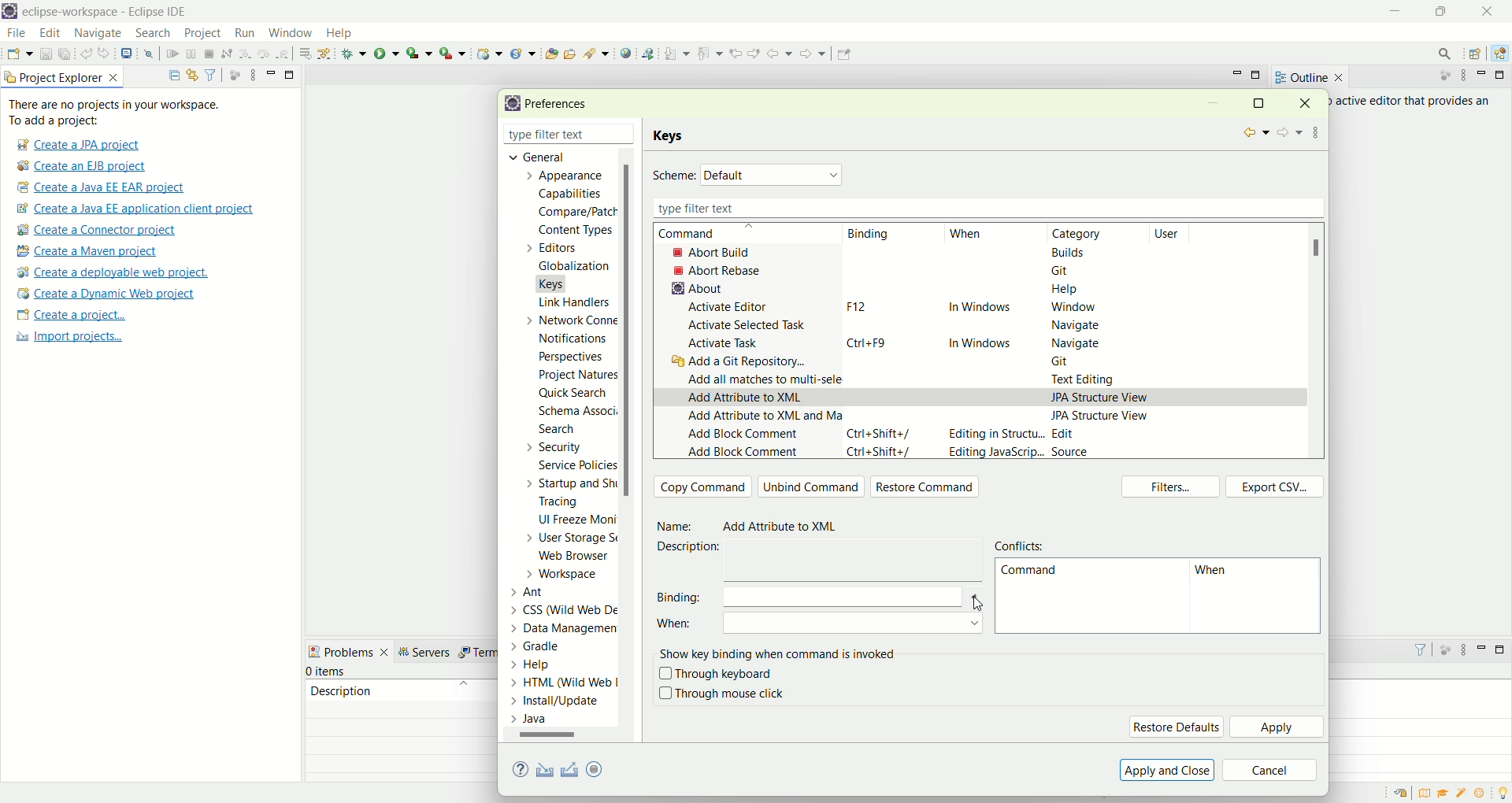 The image size is (1512, 803). I want to click on user, so click(1176, 233).